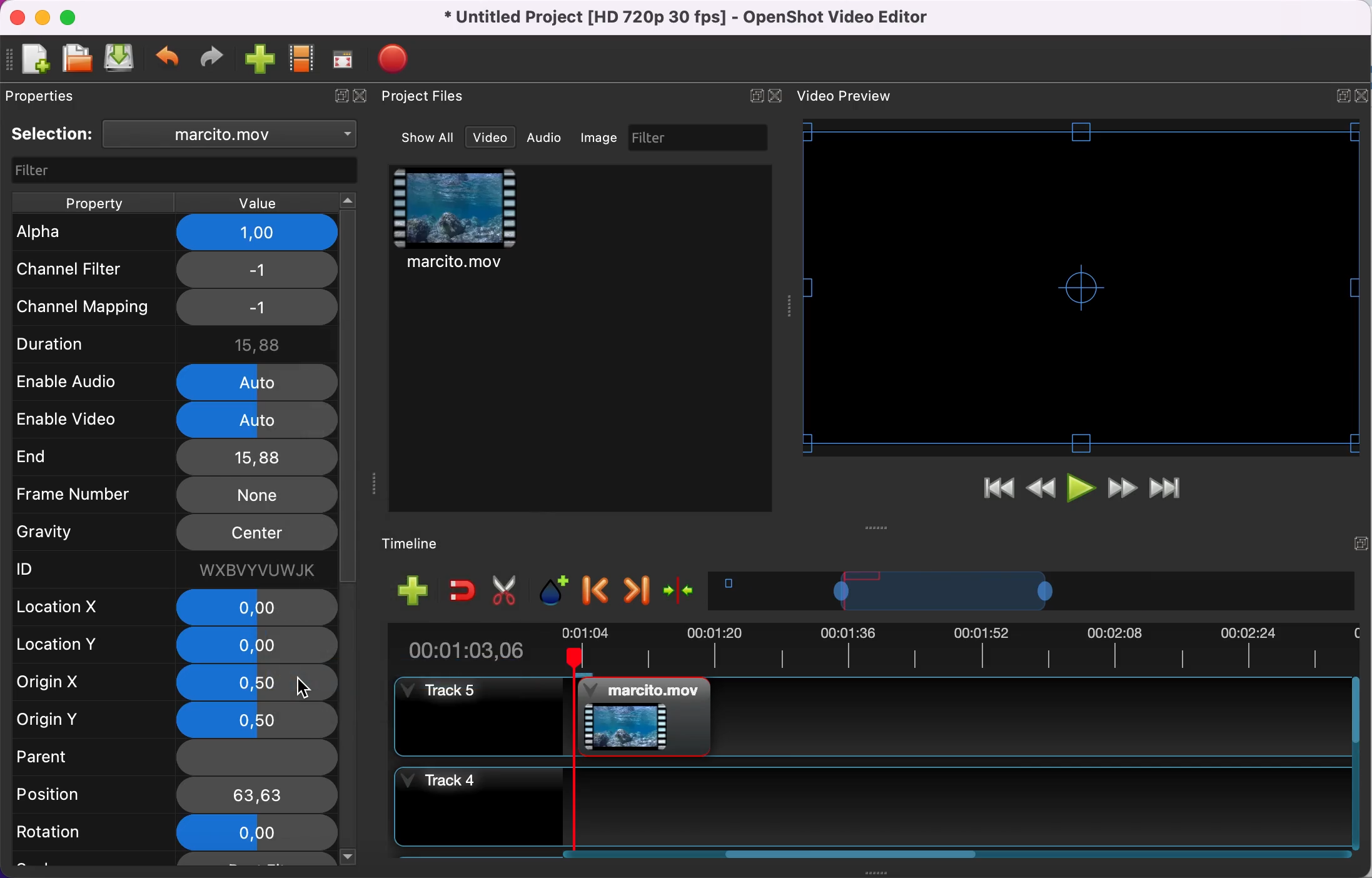 The width and height of the screenshot is (1372, 878). Describe the element at coordinates (174, 683) in the screenshot. I see `origin x 0` at that location.